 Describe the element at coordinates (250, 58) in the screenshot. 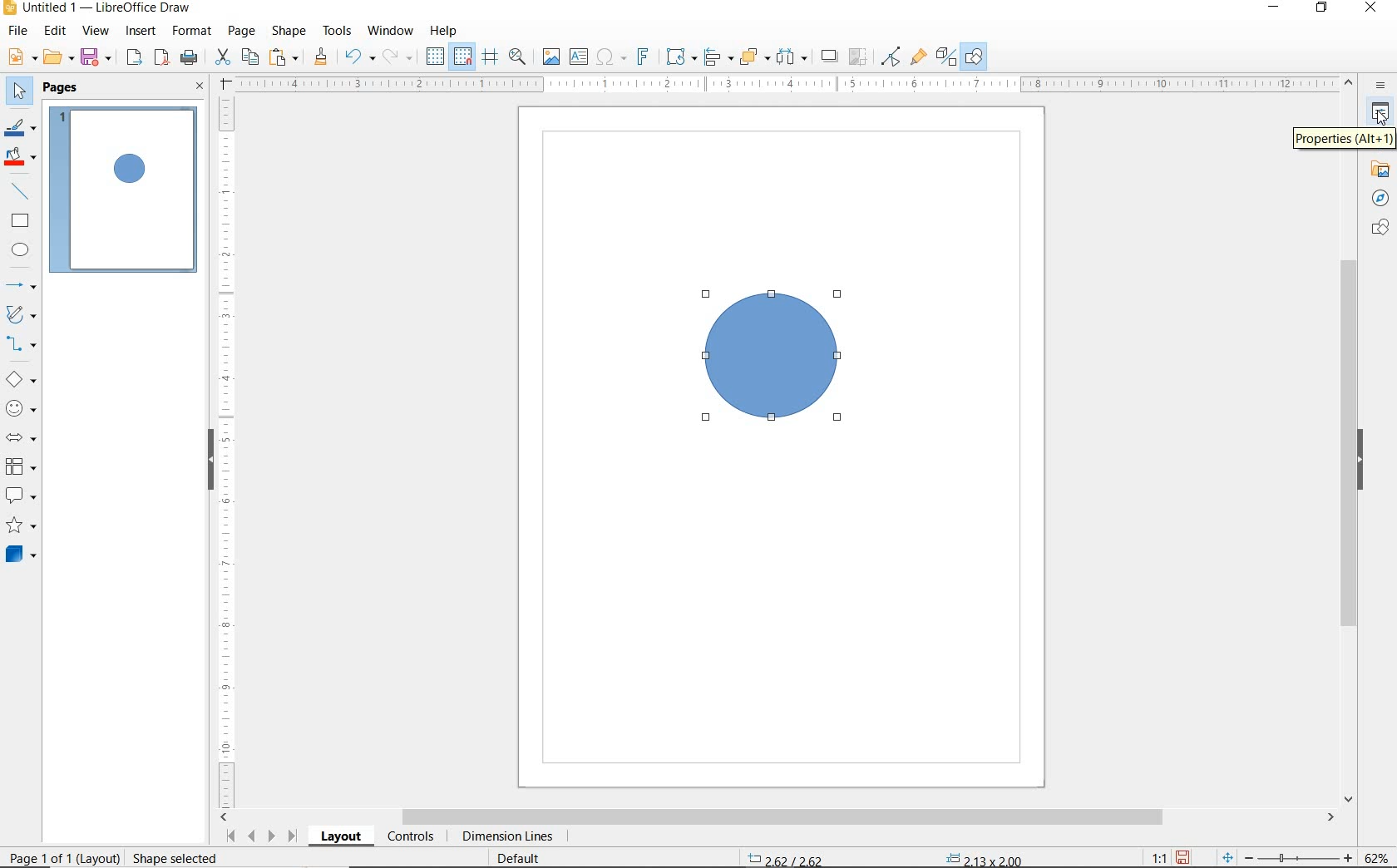

I see `COPY` at that location.